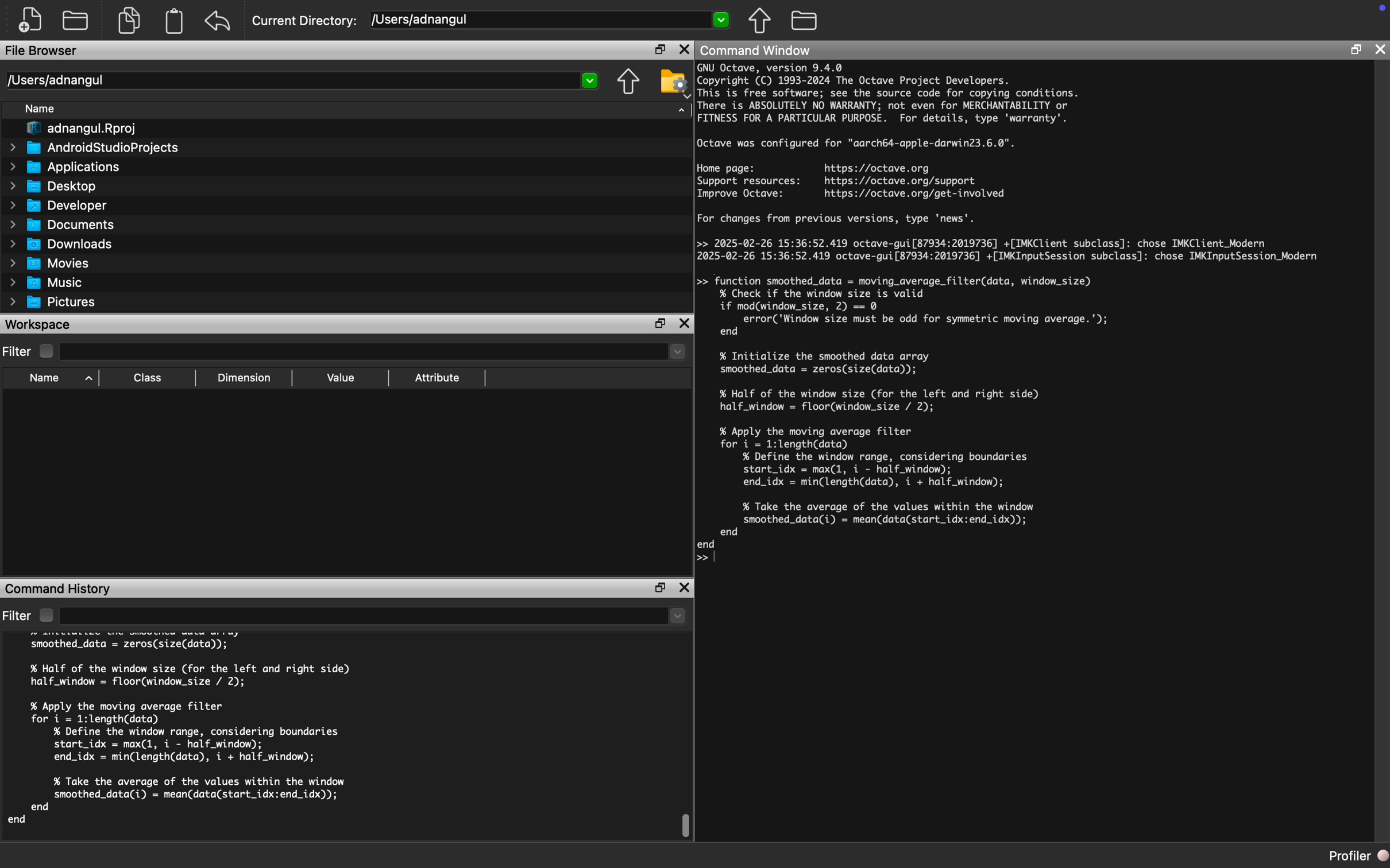 Image resolution: width=1390 pixels, height=868 pixels. What do you see at coordinates (914, 423) in the screenshot?
I see `>> Hipction smoothed_data = moving_average_filter(data, window_size)|
%'Check if the window size is valid]
if mod(window_size, 2) == 0
error('Window size must be odd for symmetric moving average.');
end
% Initialize the smoothed data arra
smoothed_data = zeros(size(data));
% Half of the window size (for the left and right side)
half_window = floor(window_size / 2);
% Apply the moving average filter
for i = 1:length(data)
% Define the window range, considering boundaries)
start_idx = max(1, i - half_window);
end_idx = min(length(data), i + half_window);
% Take the average of the values within the windo
smoothed_data(i) = mean(data(start_idx:end_idx));
end
lend]` at bounding box center [914, 423].